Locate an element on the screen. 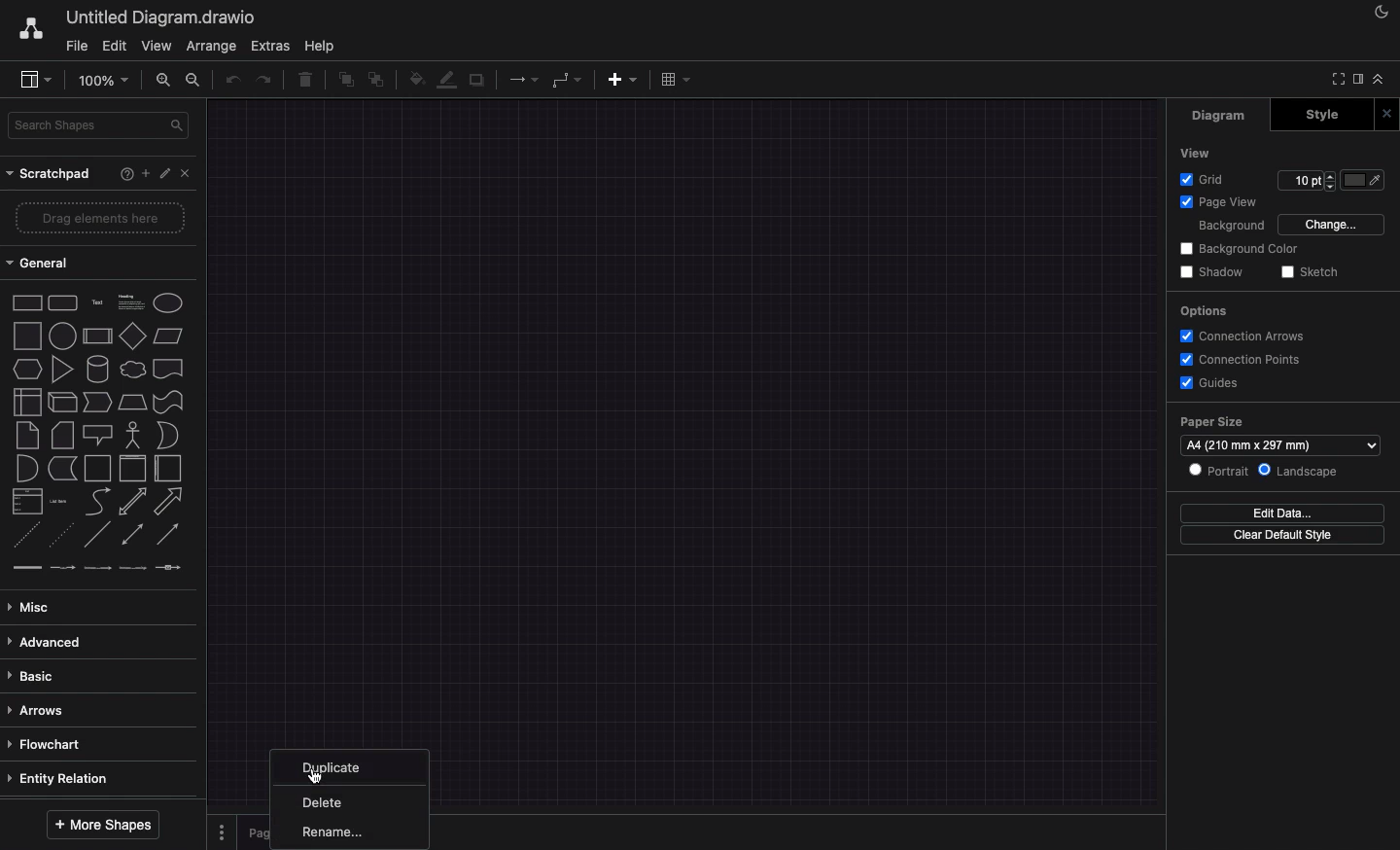  square is located at coordinates (27, 336).